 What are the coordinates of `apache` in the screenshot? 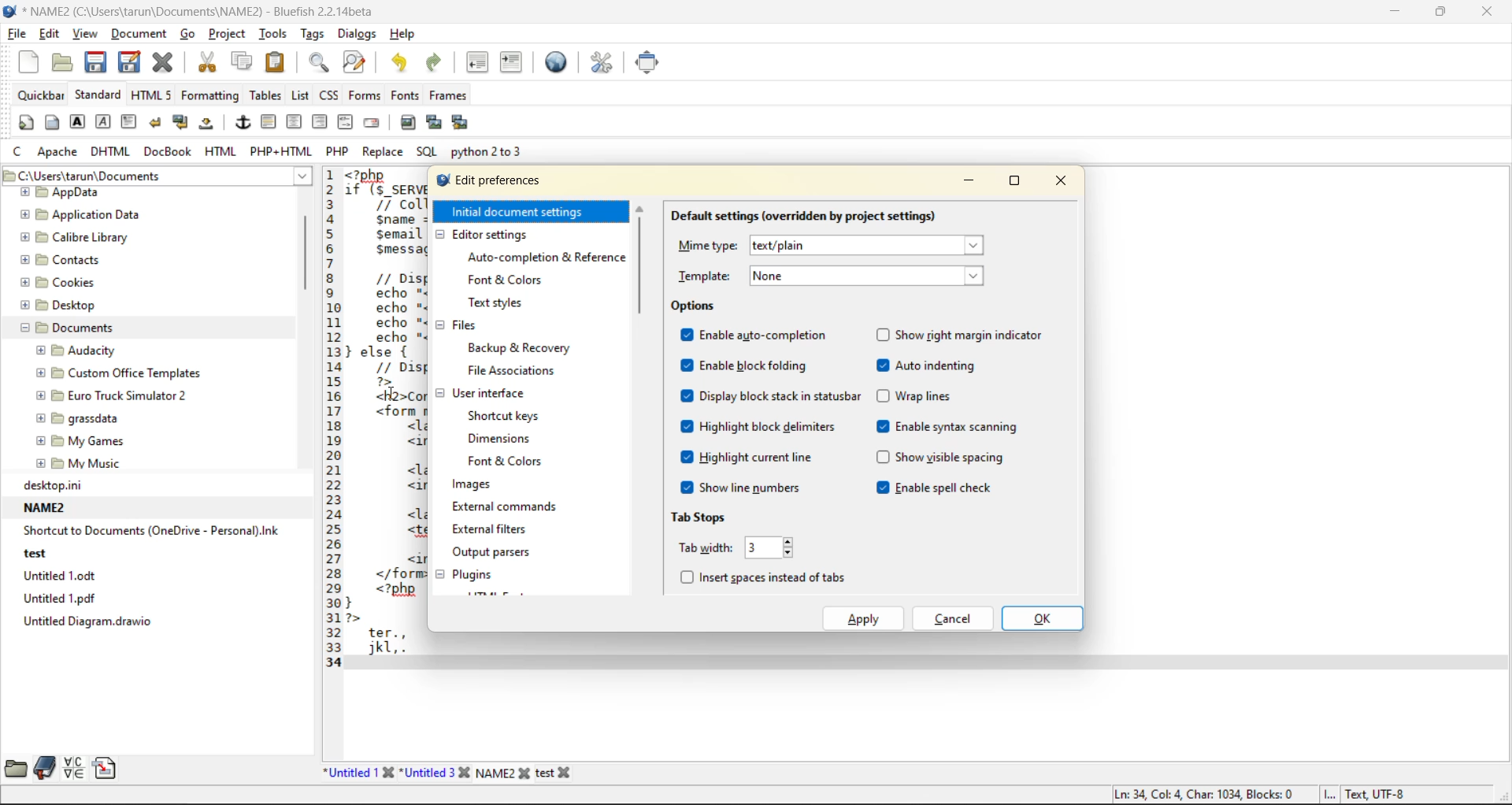 It's located at (61, 154).